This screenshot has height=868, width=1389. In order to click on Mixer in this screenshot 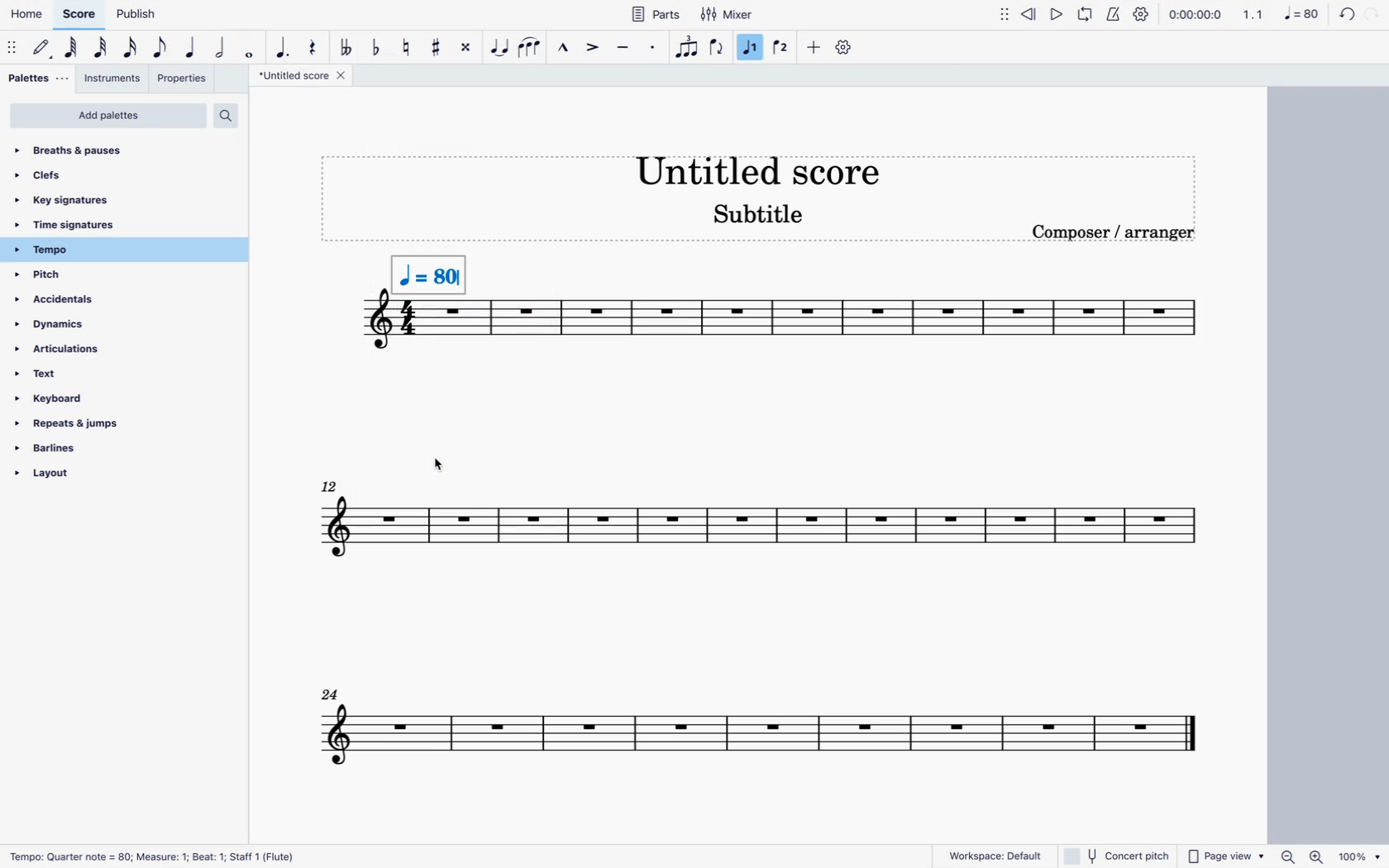, I will do `click(728, 17)`.